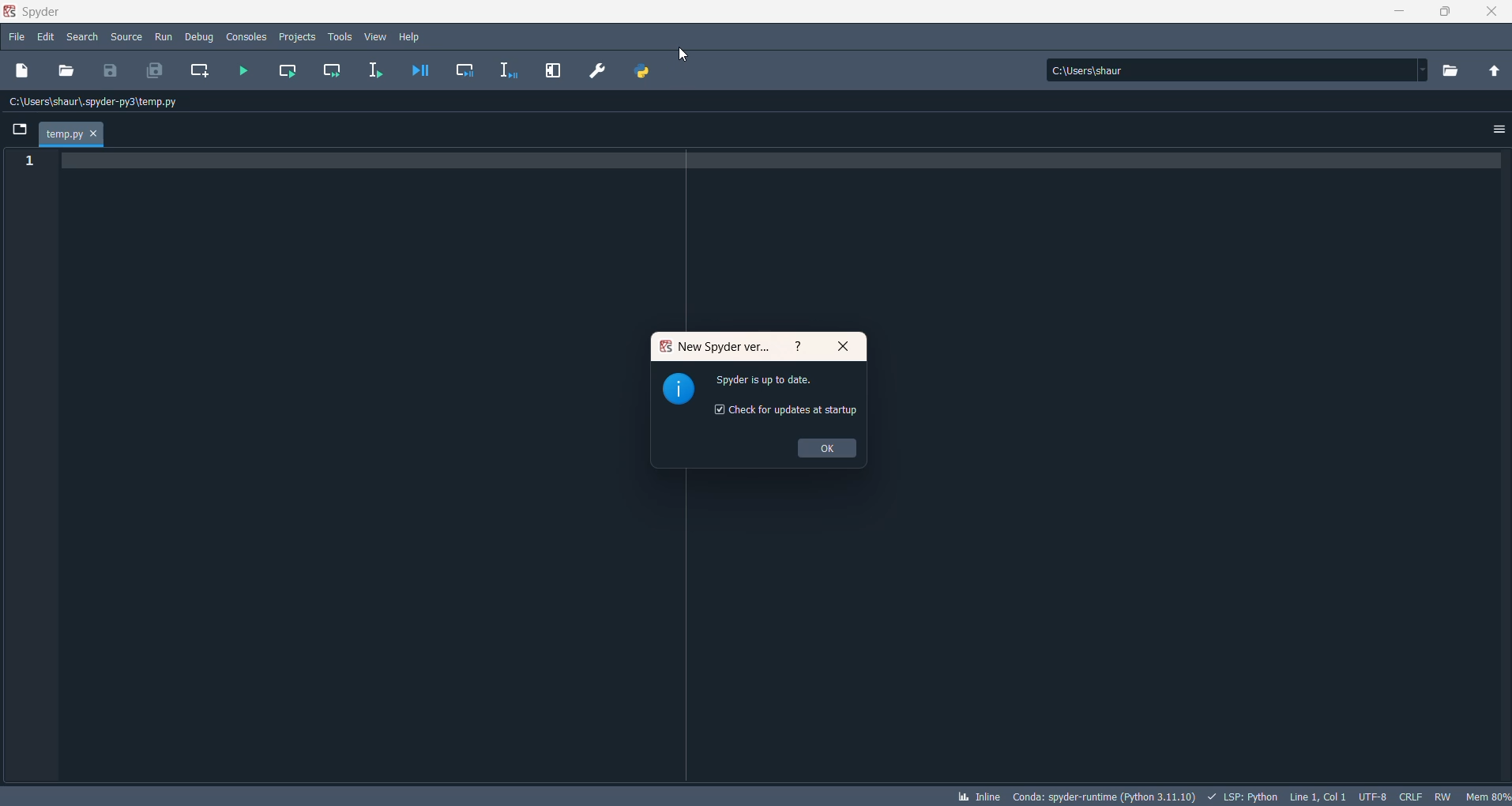 The image size is (1512, 806). Describe the element at coordinates (47, 37) in the screenshot. I see `edit` at that location.